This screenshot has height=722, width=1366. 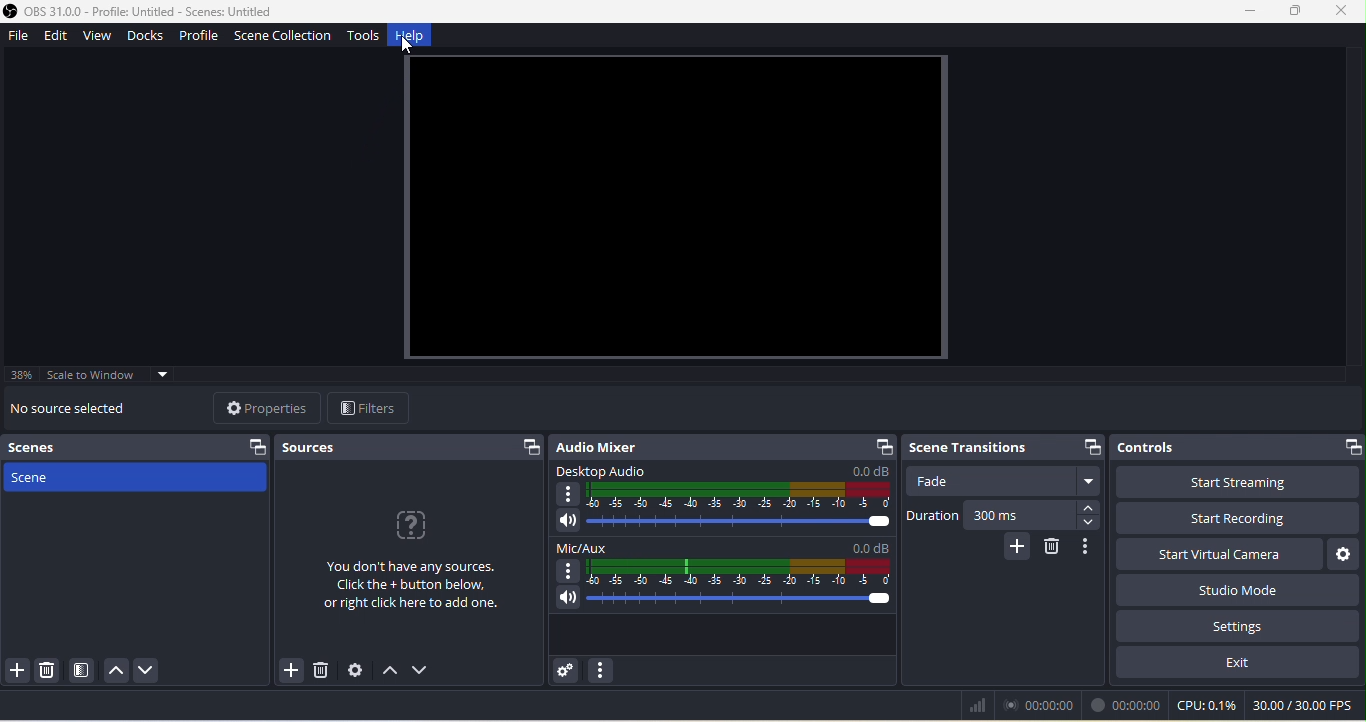 What do you see at coordinates (321, 670) in the screenshot?
I see `remove selected source` at bounding box center [321, 670].